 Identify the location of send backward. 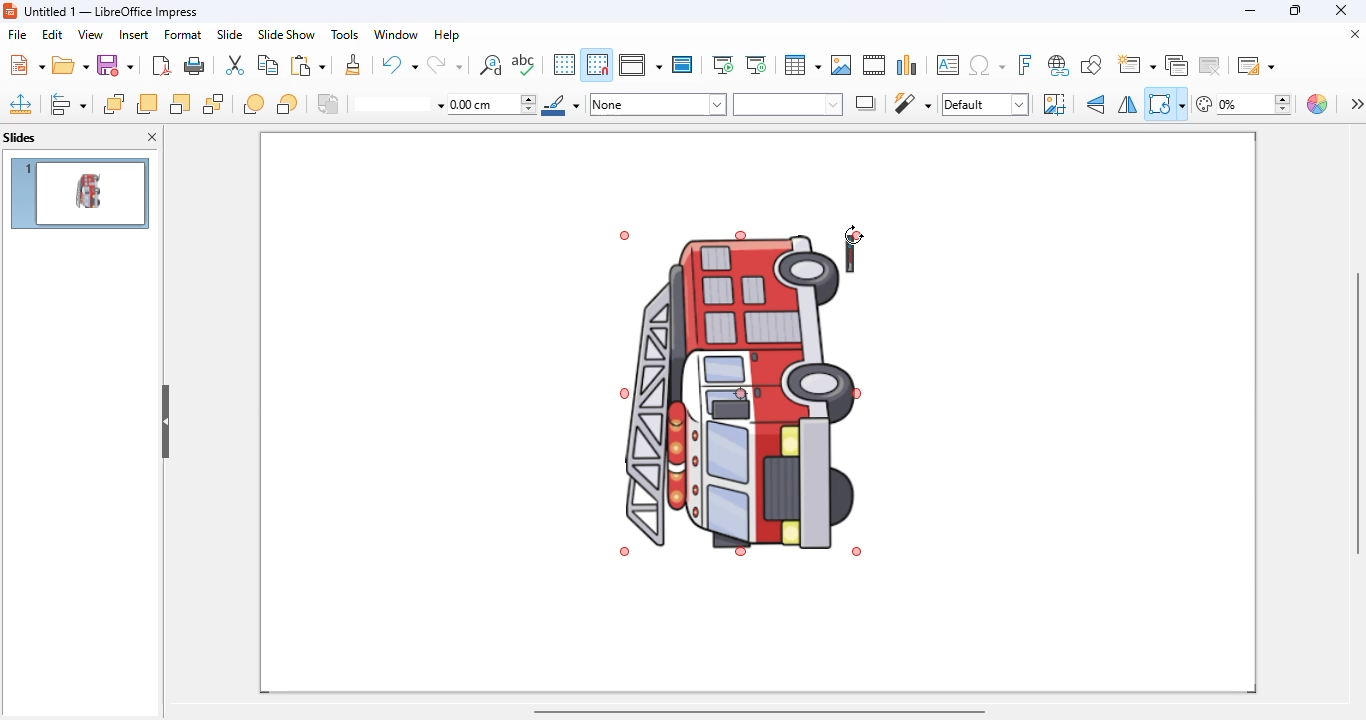
(180, 104).